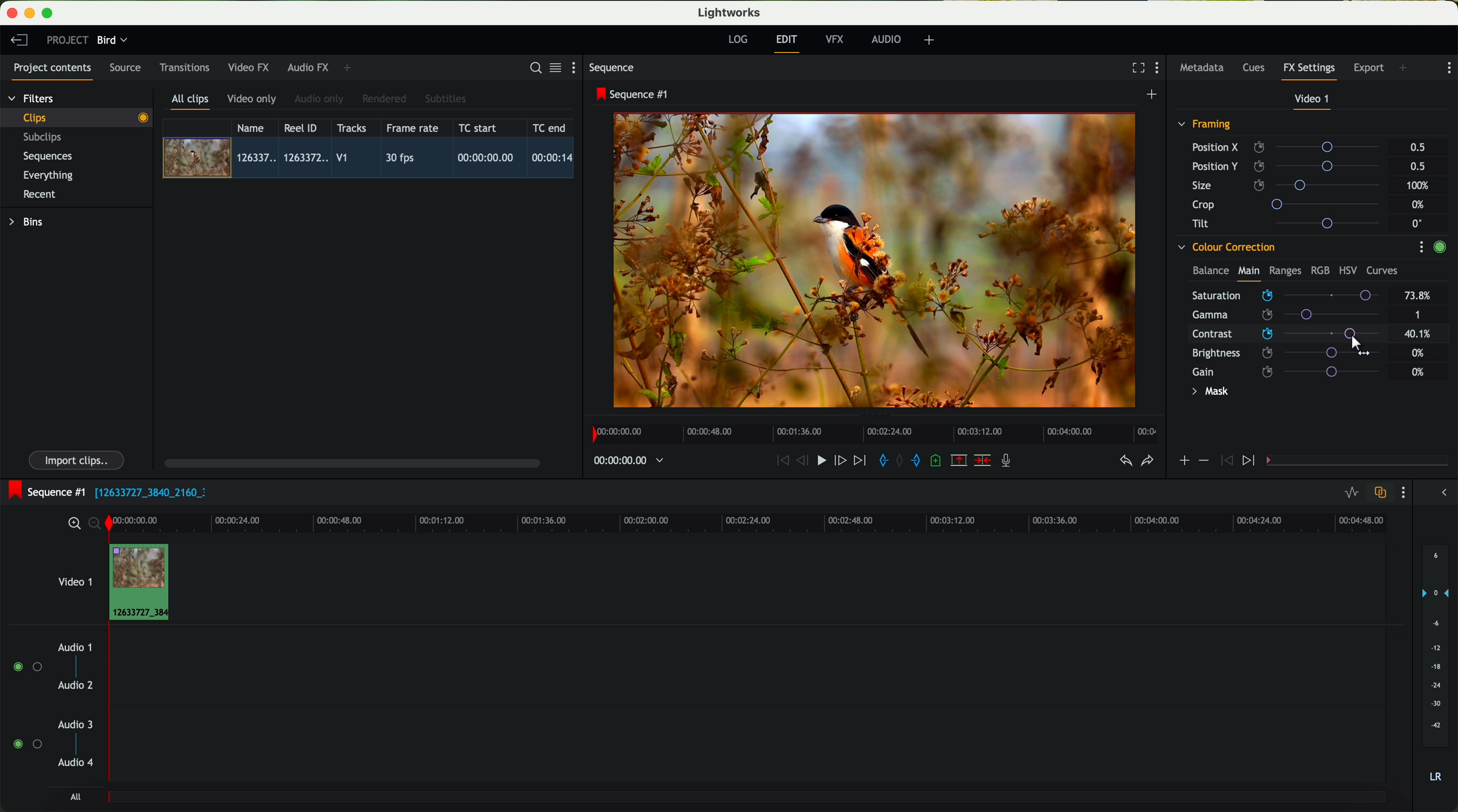  Describe the element at coordinates (1225, 247) in the screenshot. I see `colour correction` at that location.